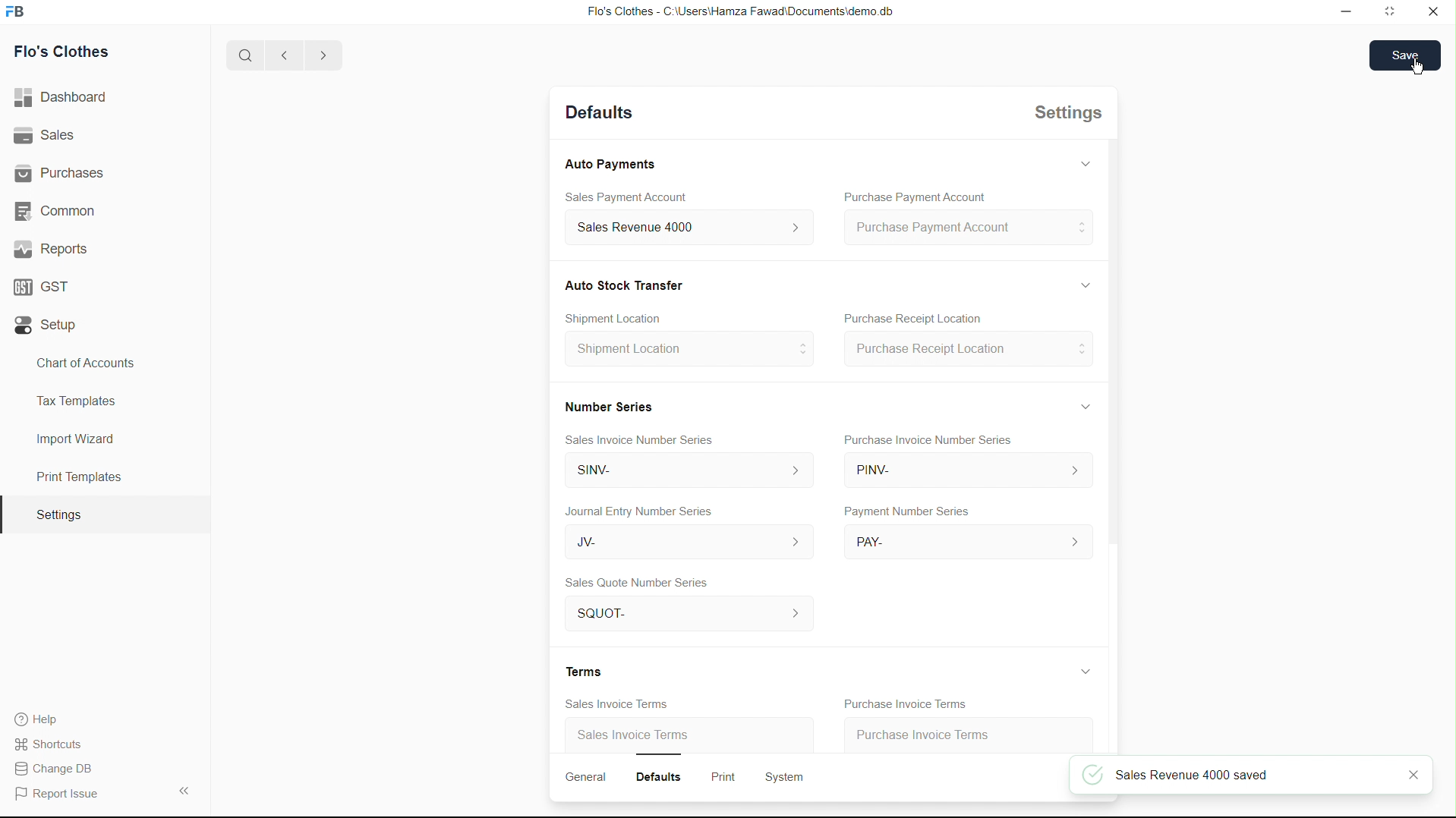  I want to click on sales Payment Account, so click(684, 225).